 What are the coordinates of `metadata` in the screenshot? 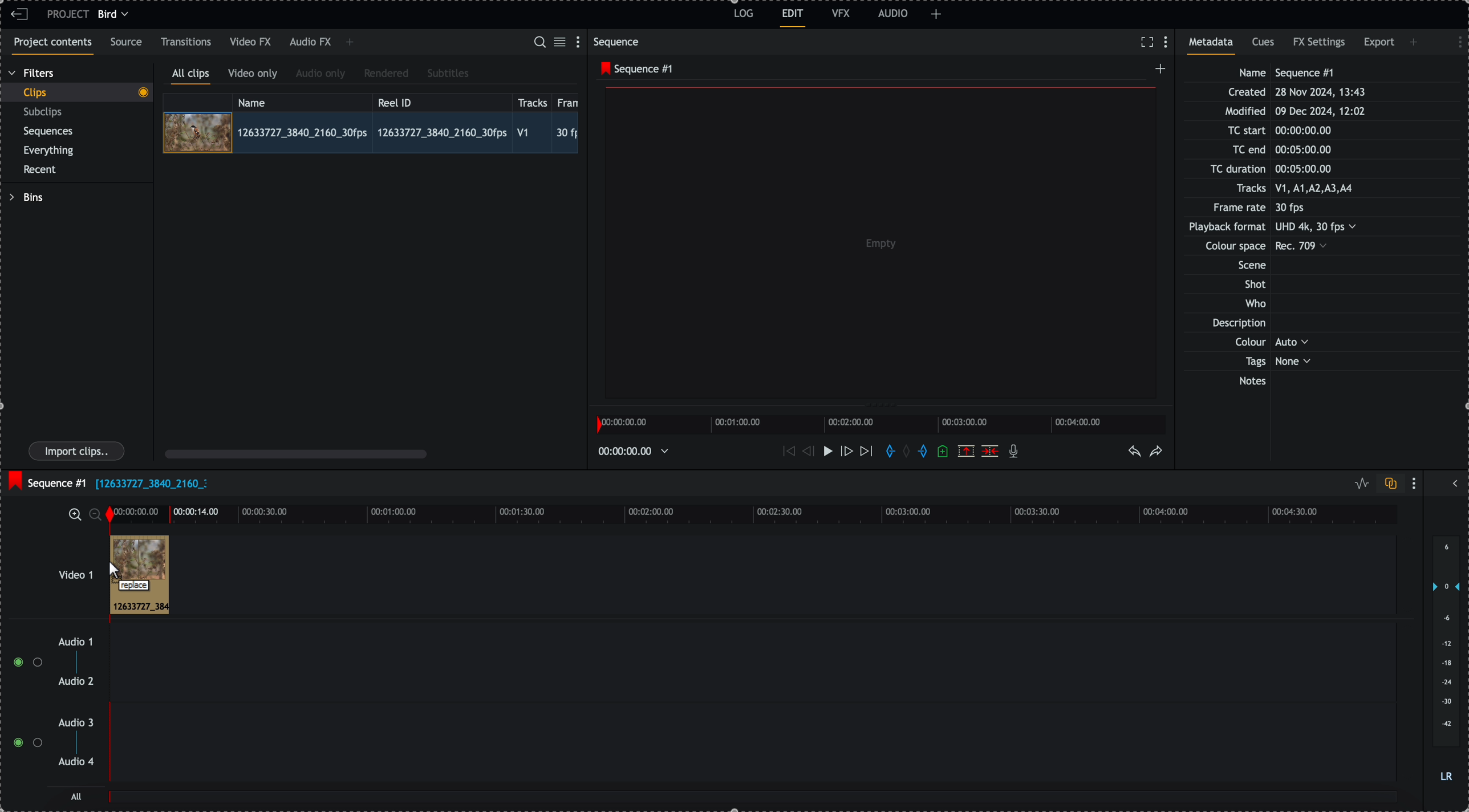 It's located at (1215, 46).